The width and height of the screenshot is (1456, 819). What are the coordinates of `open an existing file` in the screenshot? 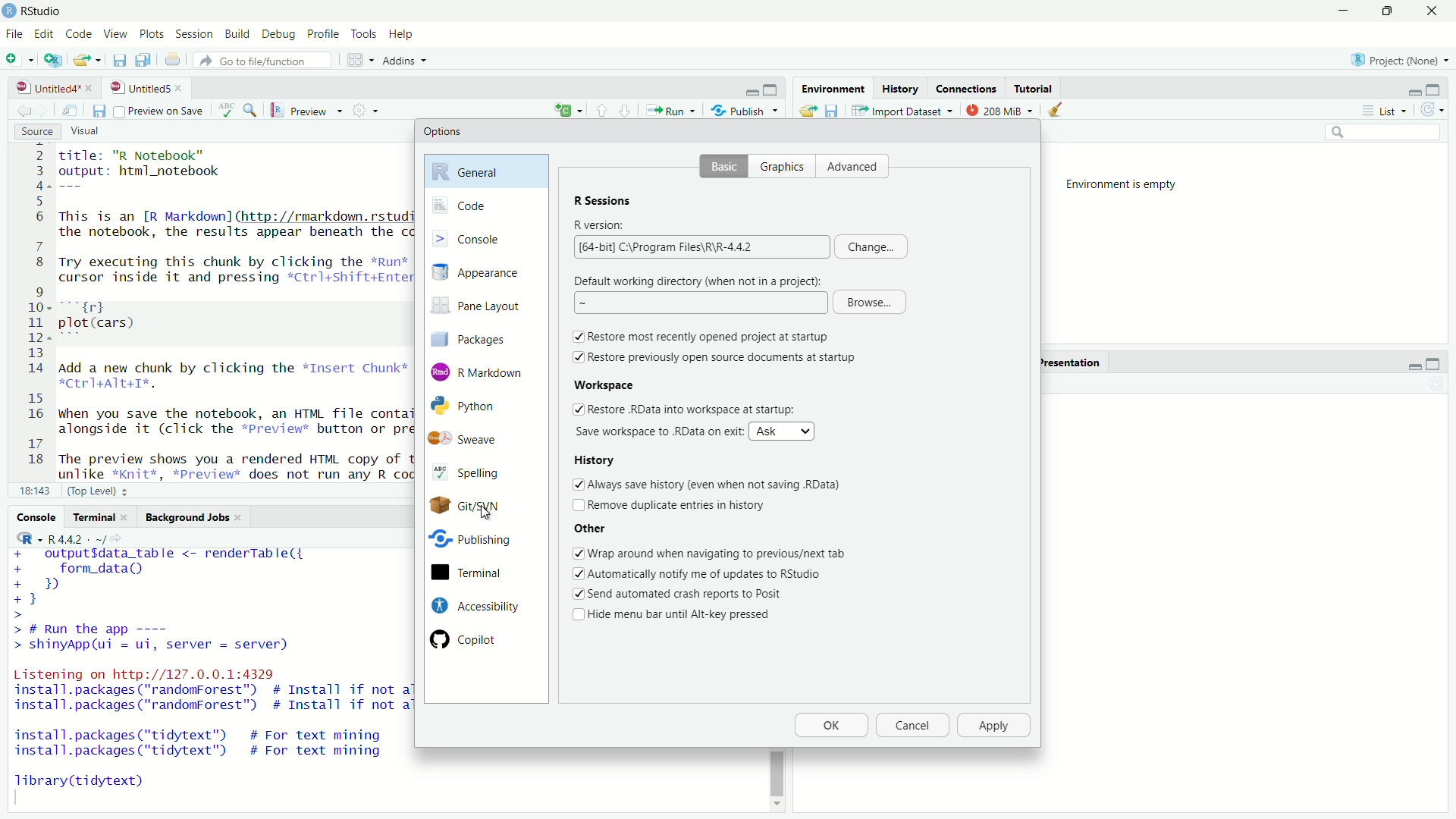 It's located at (88, 60).